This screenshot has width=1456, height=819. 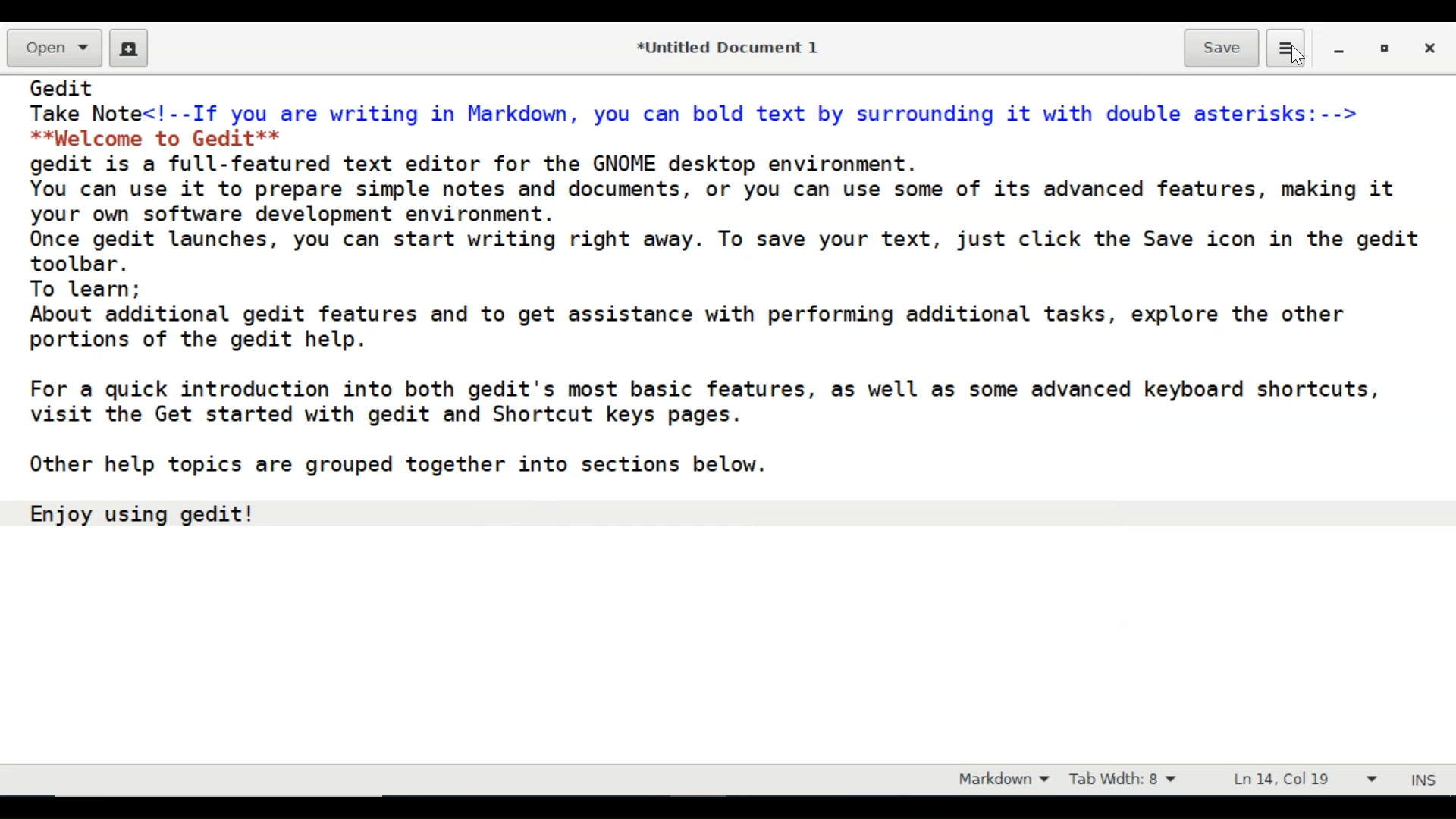 I want to click on You can use it to prepare simple notes and documents, or you can use some of its advanced features, making it
your own software development environment., so click(x=726, y=201).